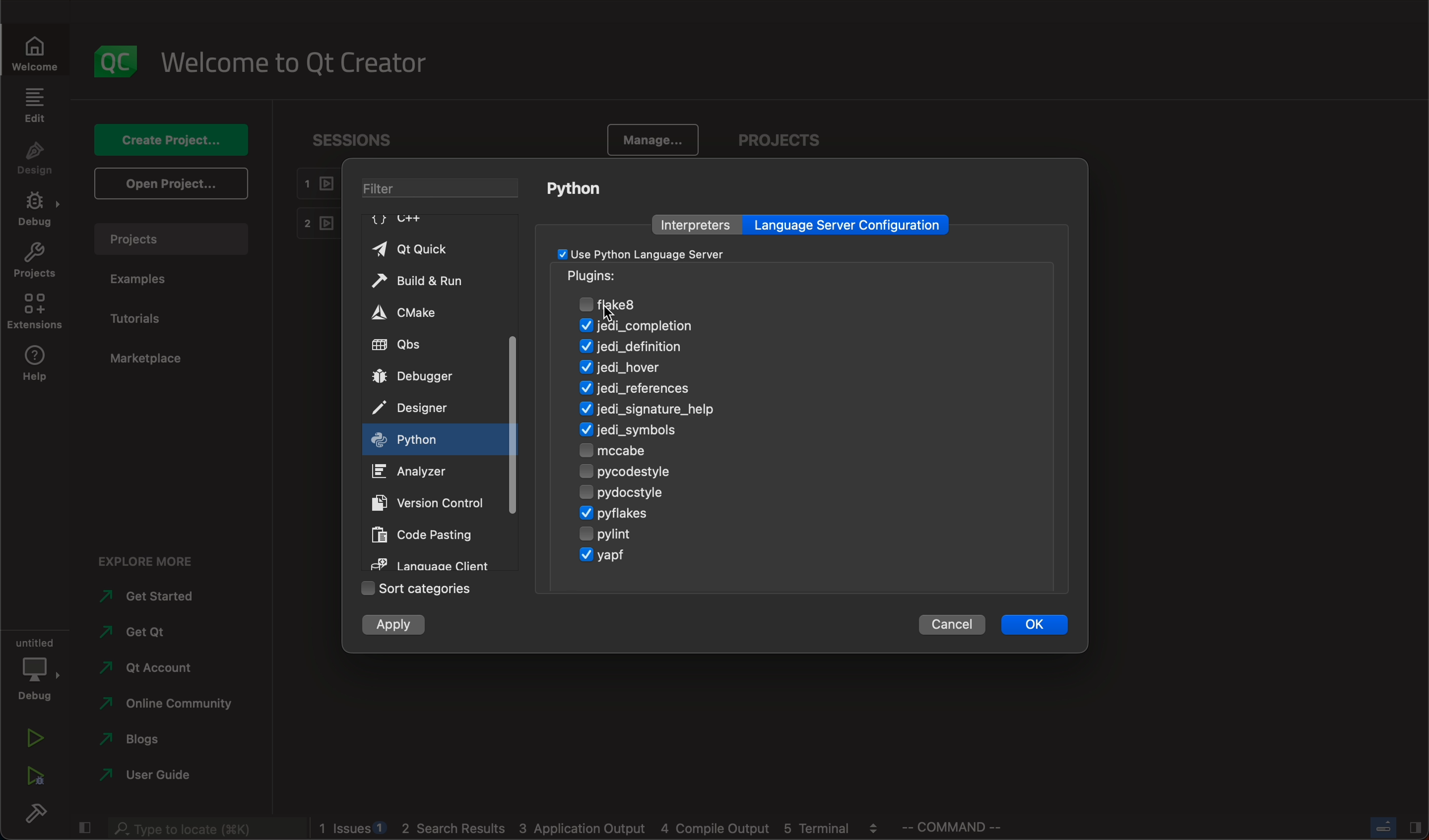  I want to click on welcome, so click(298, 62).